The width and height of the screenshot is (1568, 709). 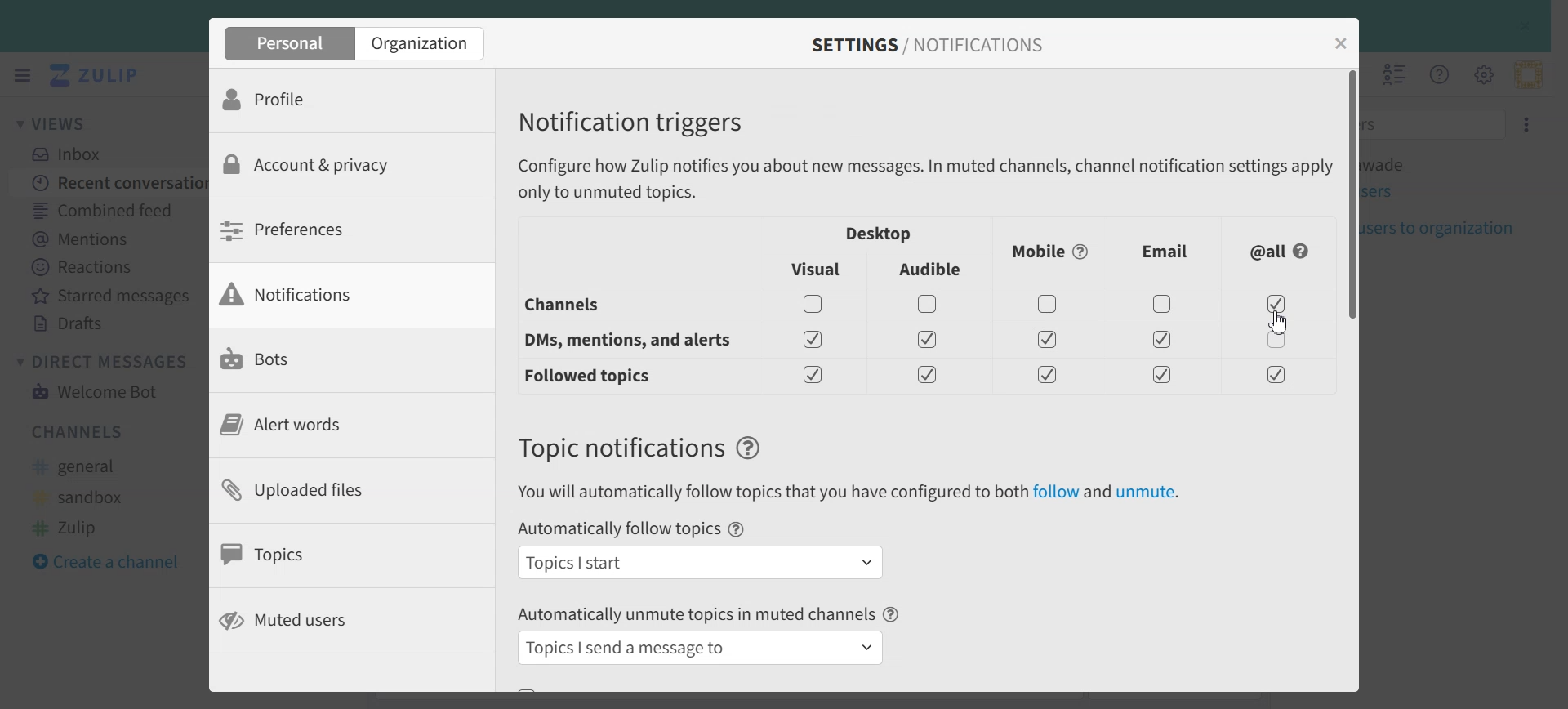 I want to click on Channels, so click(x=80, y=431).